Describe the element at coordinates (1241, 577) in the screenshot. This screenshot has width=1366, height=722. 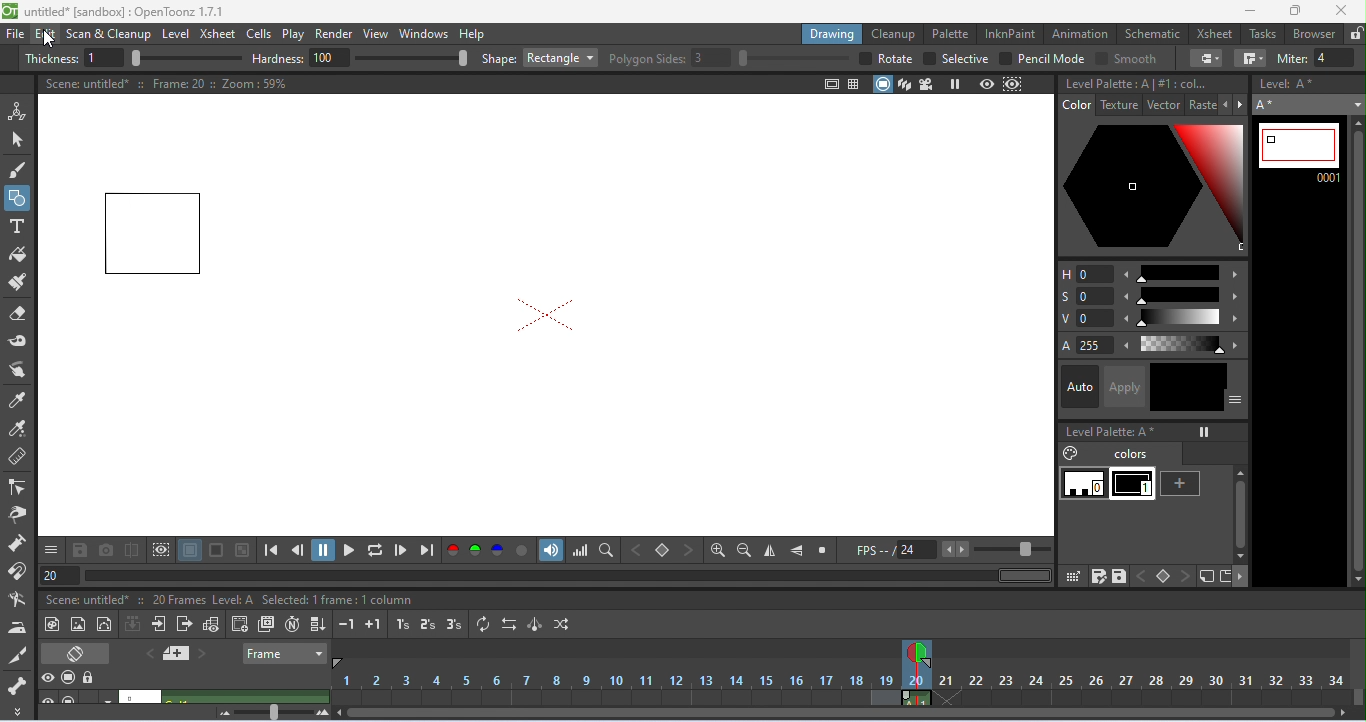
I see `more options` at that location.